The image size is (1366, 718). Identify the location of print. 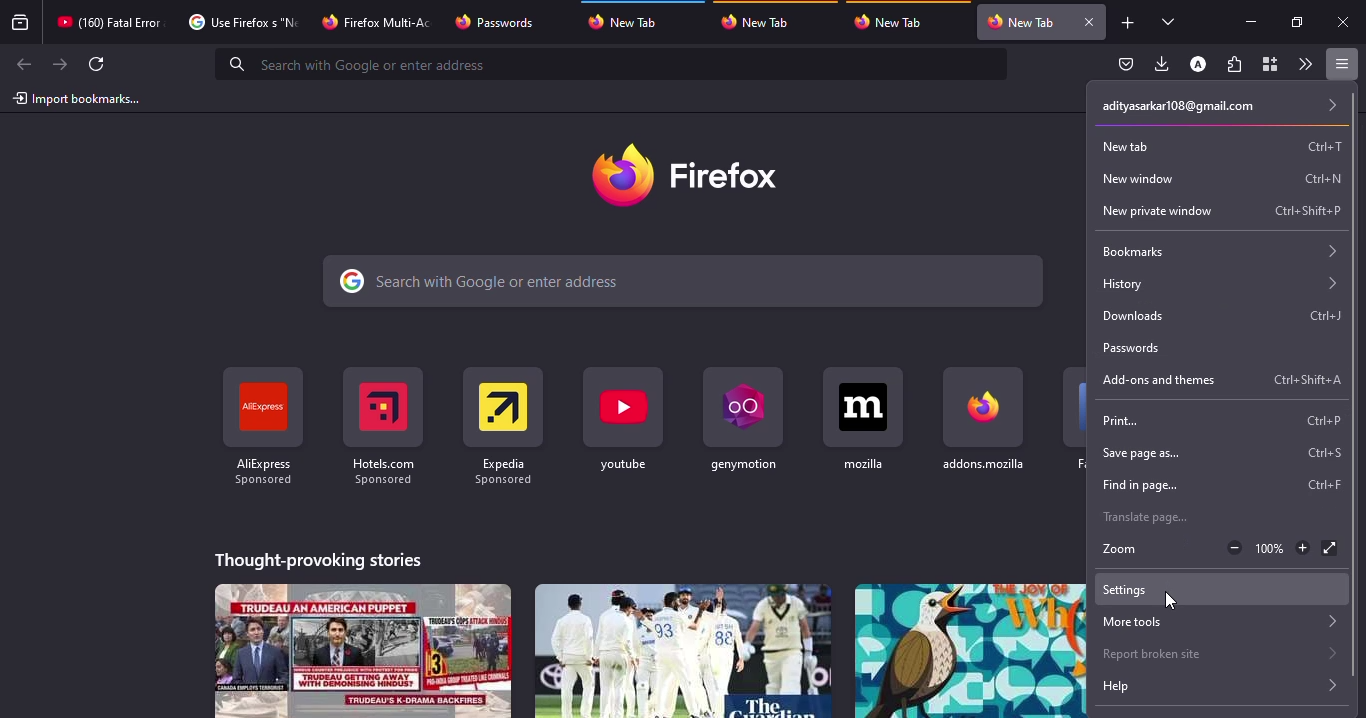
(1128, 420).